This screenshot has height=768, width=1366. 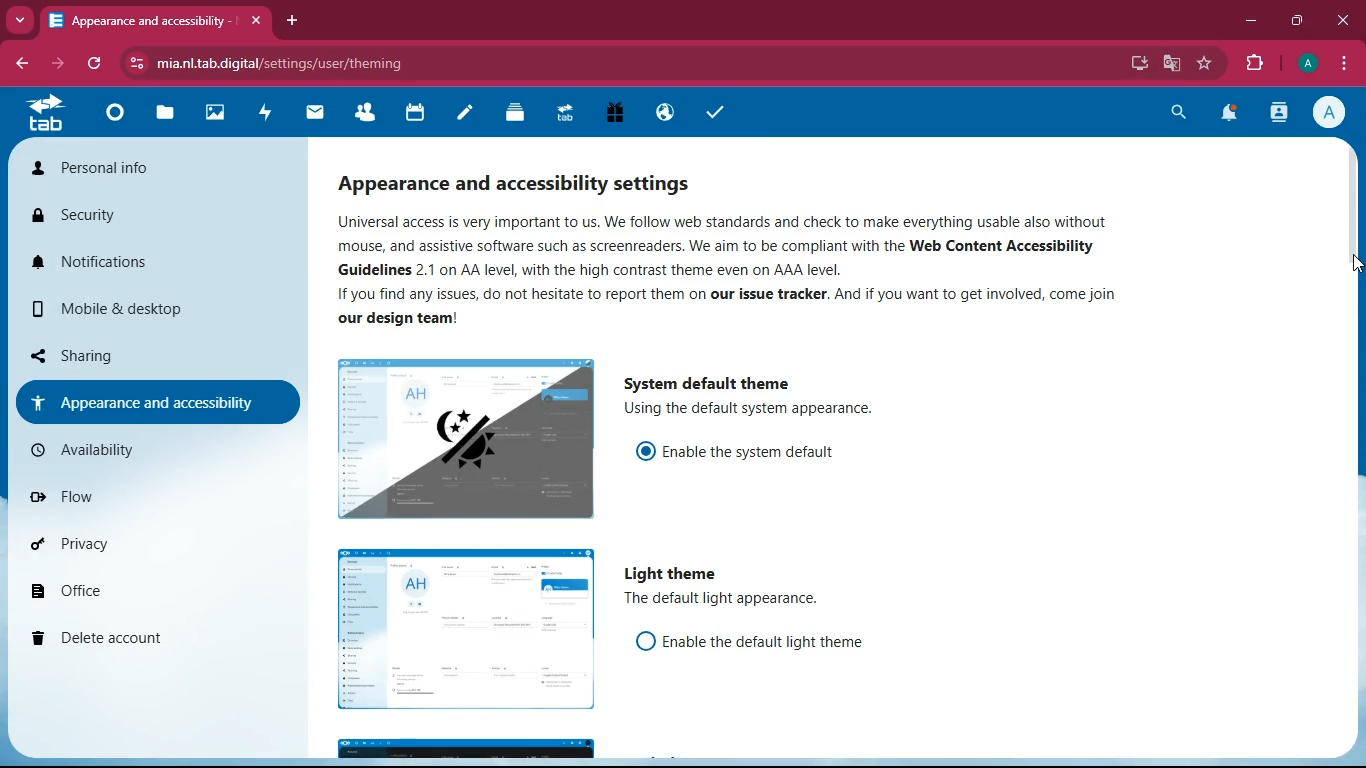 I want to click on tab, so click(x=48, y=116).